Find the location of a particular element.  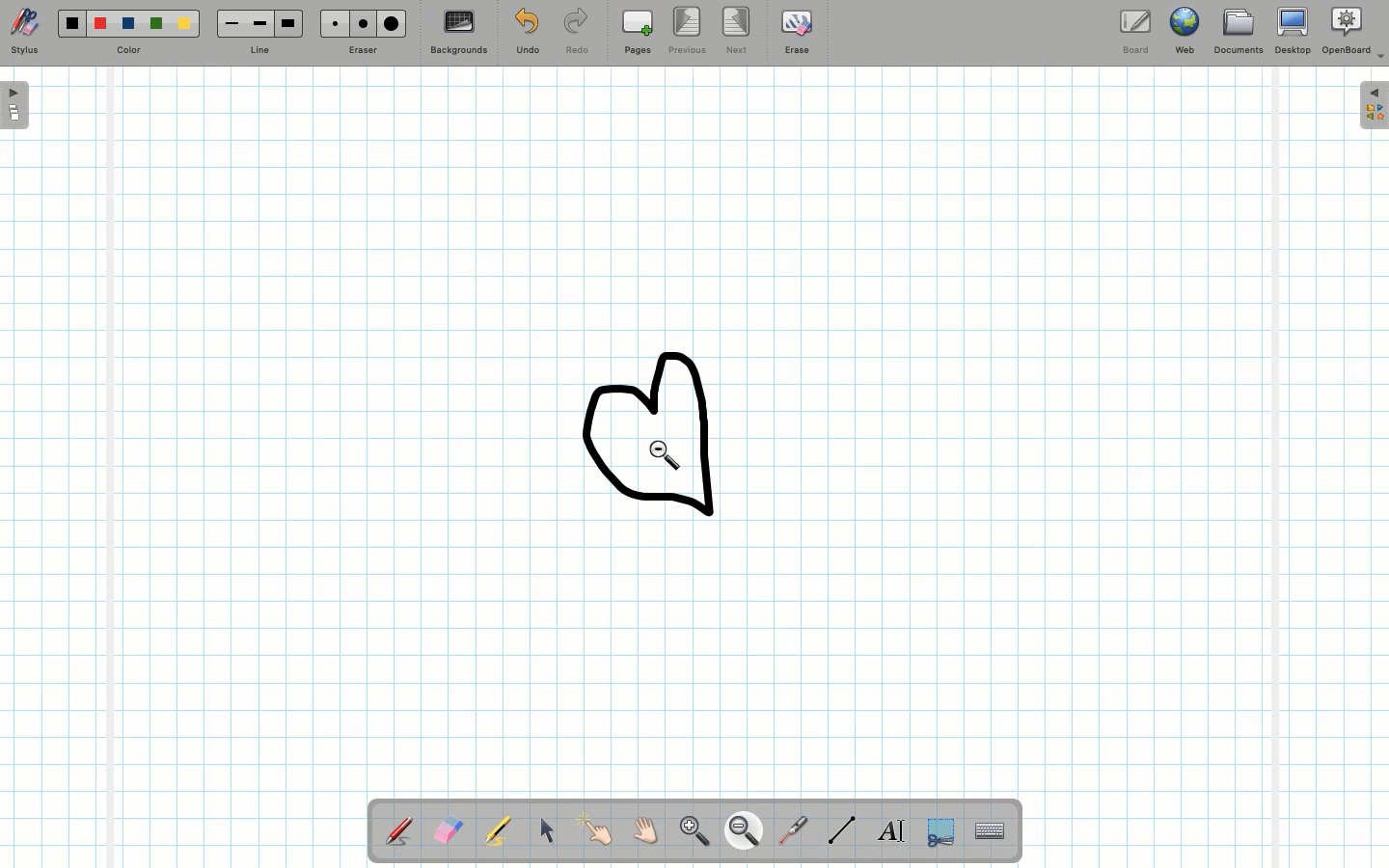

Open board is located at coordinates (15, 107).